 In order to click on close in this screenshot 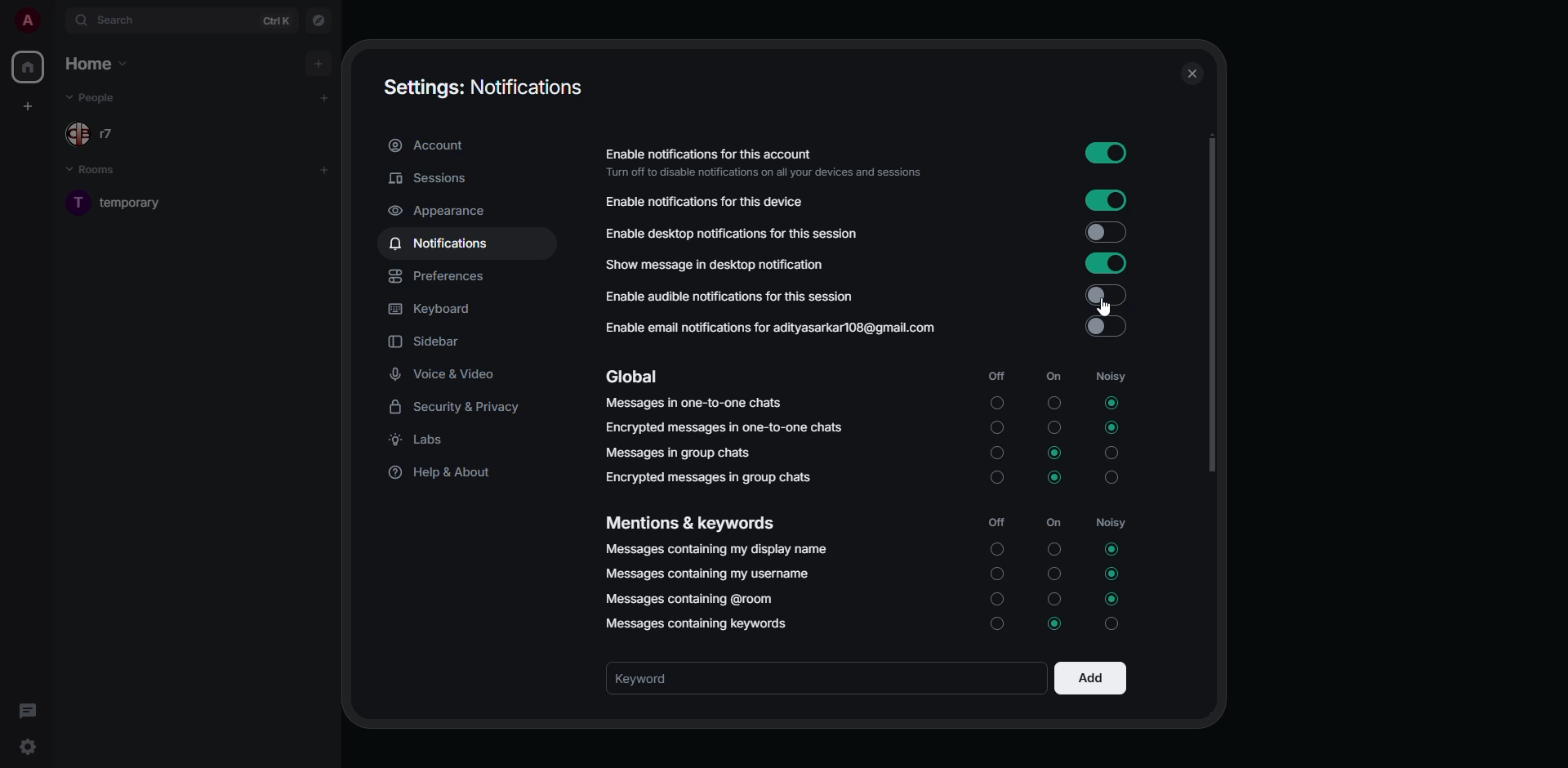, I will do `click(1192, 74)`.